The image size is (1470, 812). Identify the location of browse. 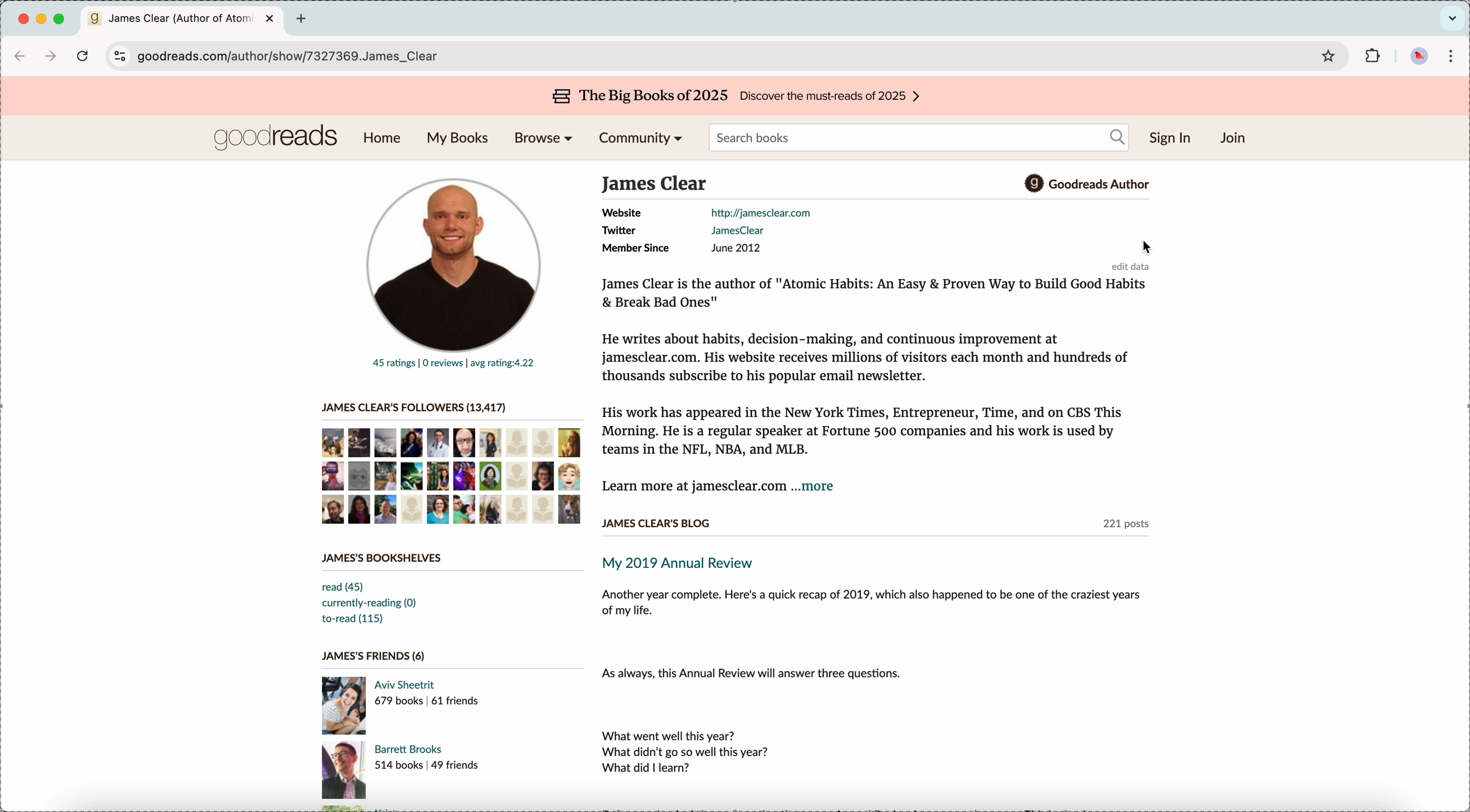
(547, 139).